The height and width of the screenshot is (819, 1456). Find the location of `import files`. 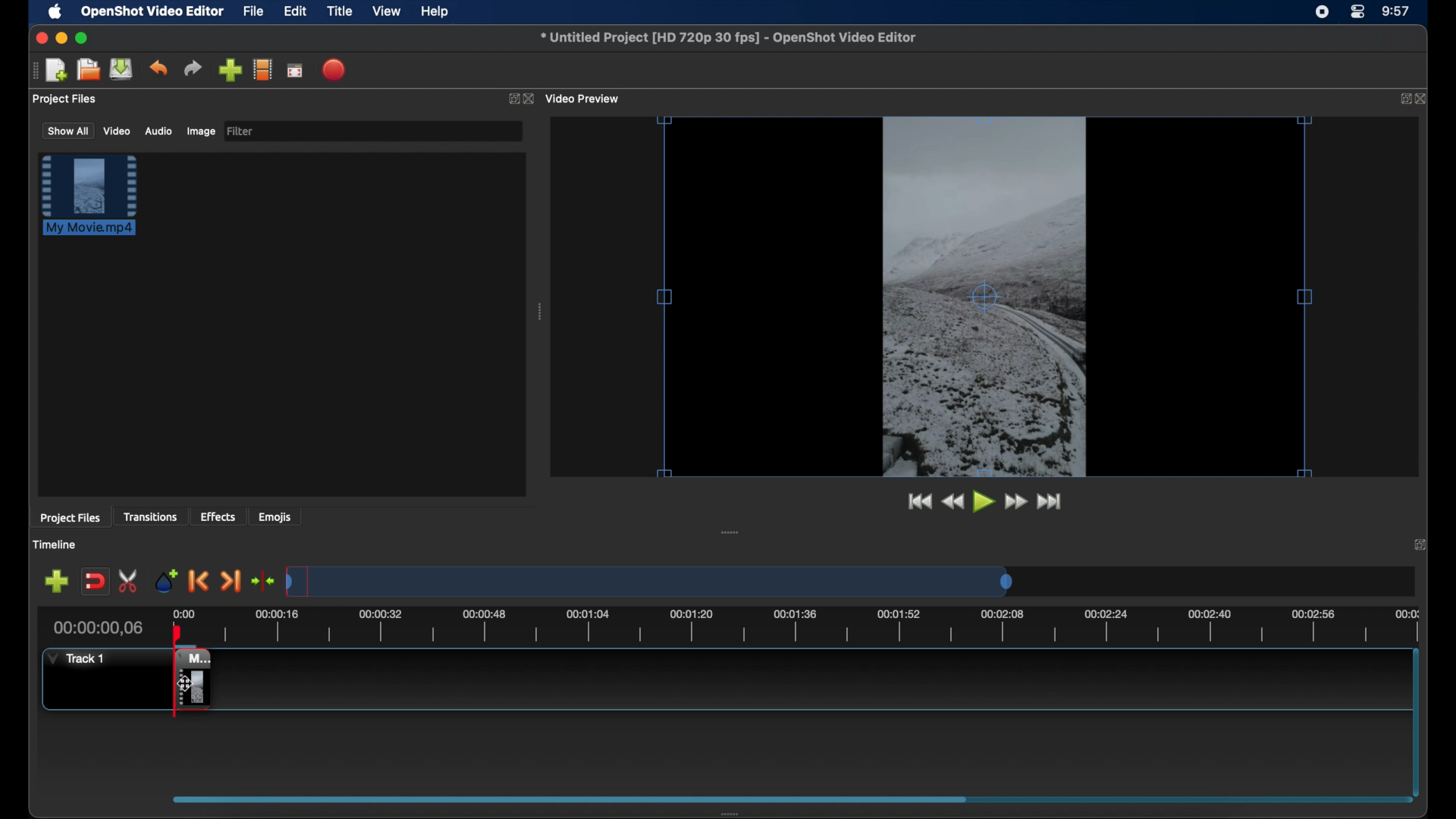

import files is located at coordinates (230, 71).